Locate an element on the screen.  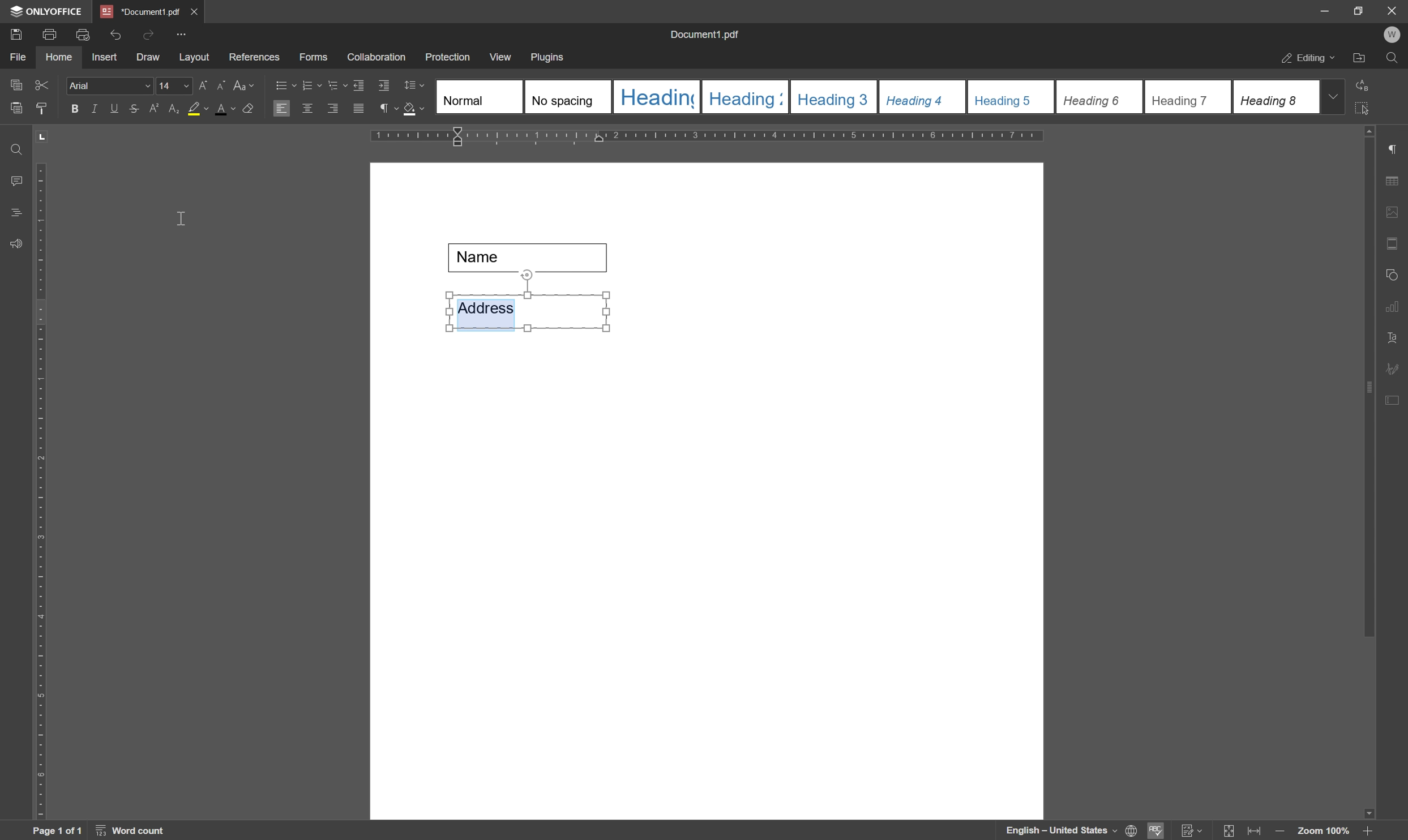
chart settings is located at coordinates (1396, 309).